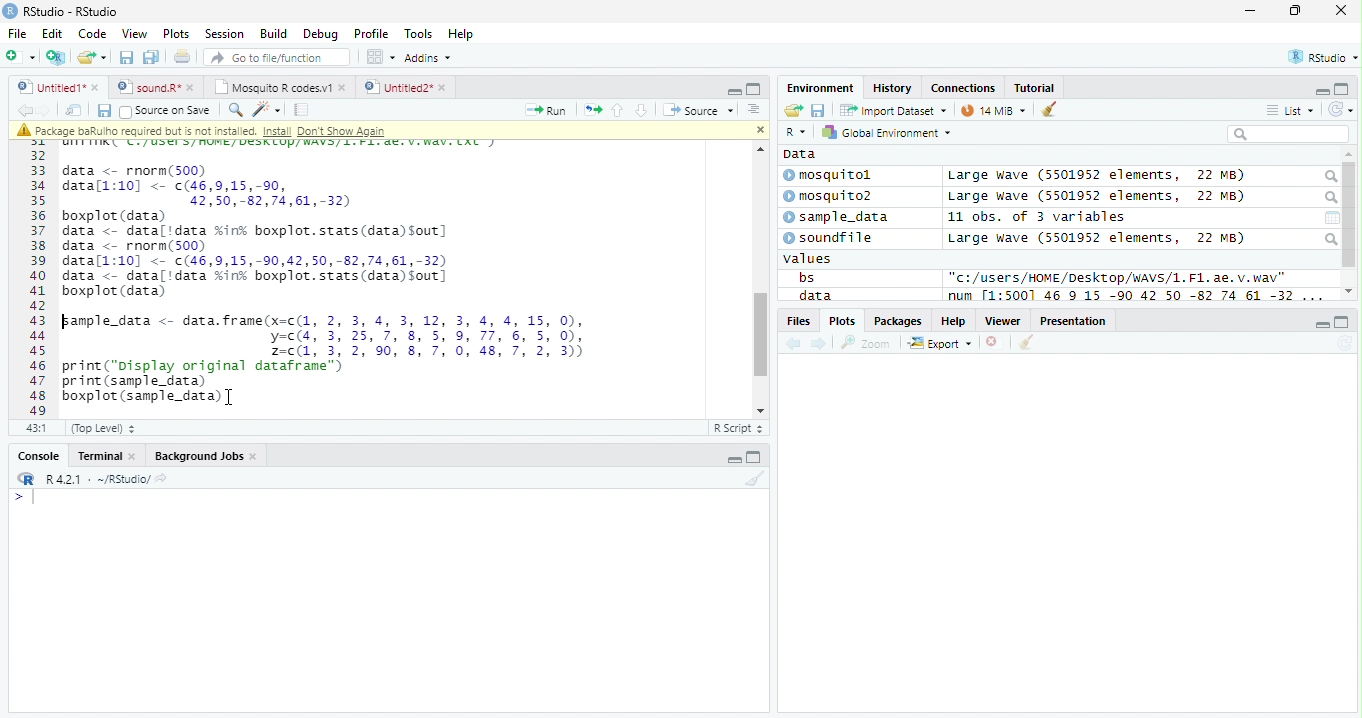 The height and width of the screenshot is (718, 1362). I want to click on 11 obs. of 3 variables, so click(1037, 217).